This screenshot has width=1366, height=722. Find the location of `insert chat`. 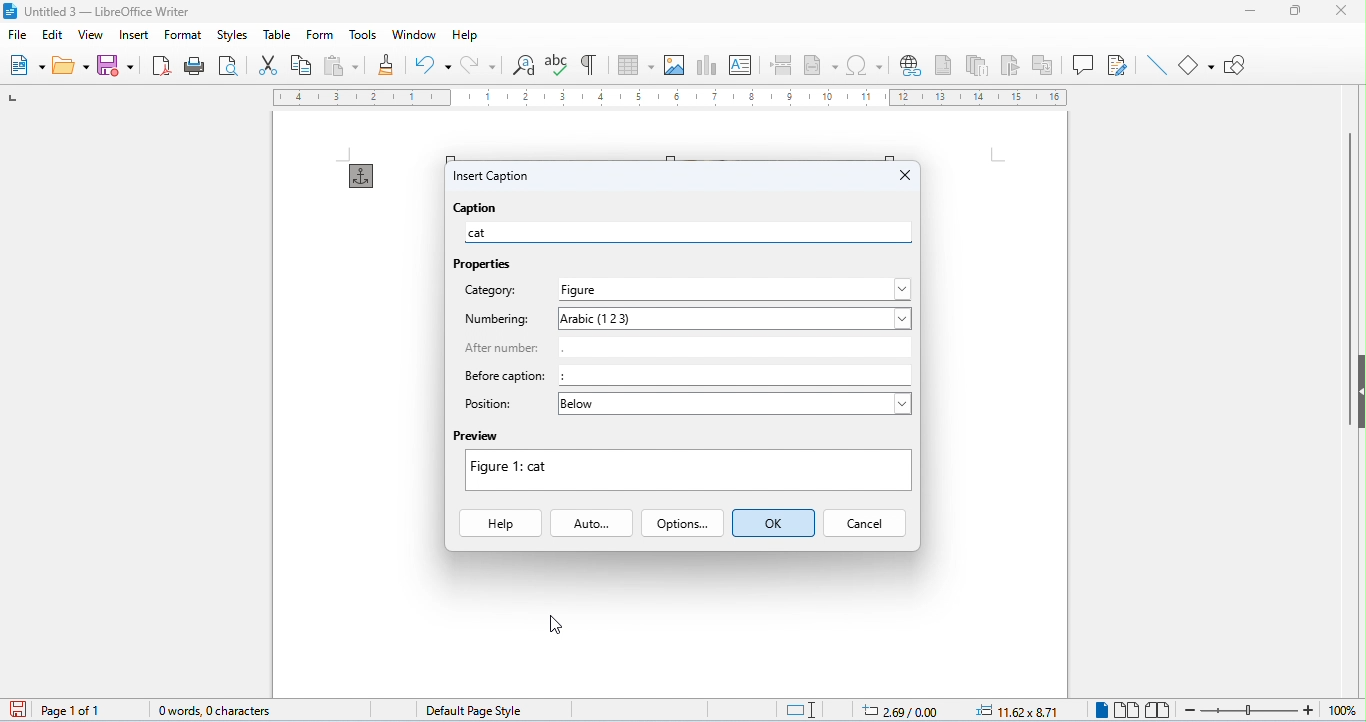

insert chat is located at coordinates (708, 66).